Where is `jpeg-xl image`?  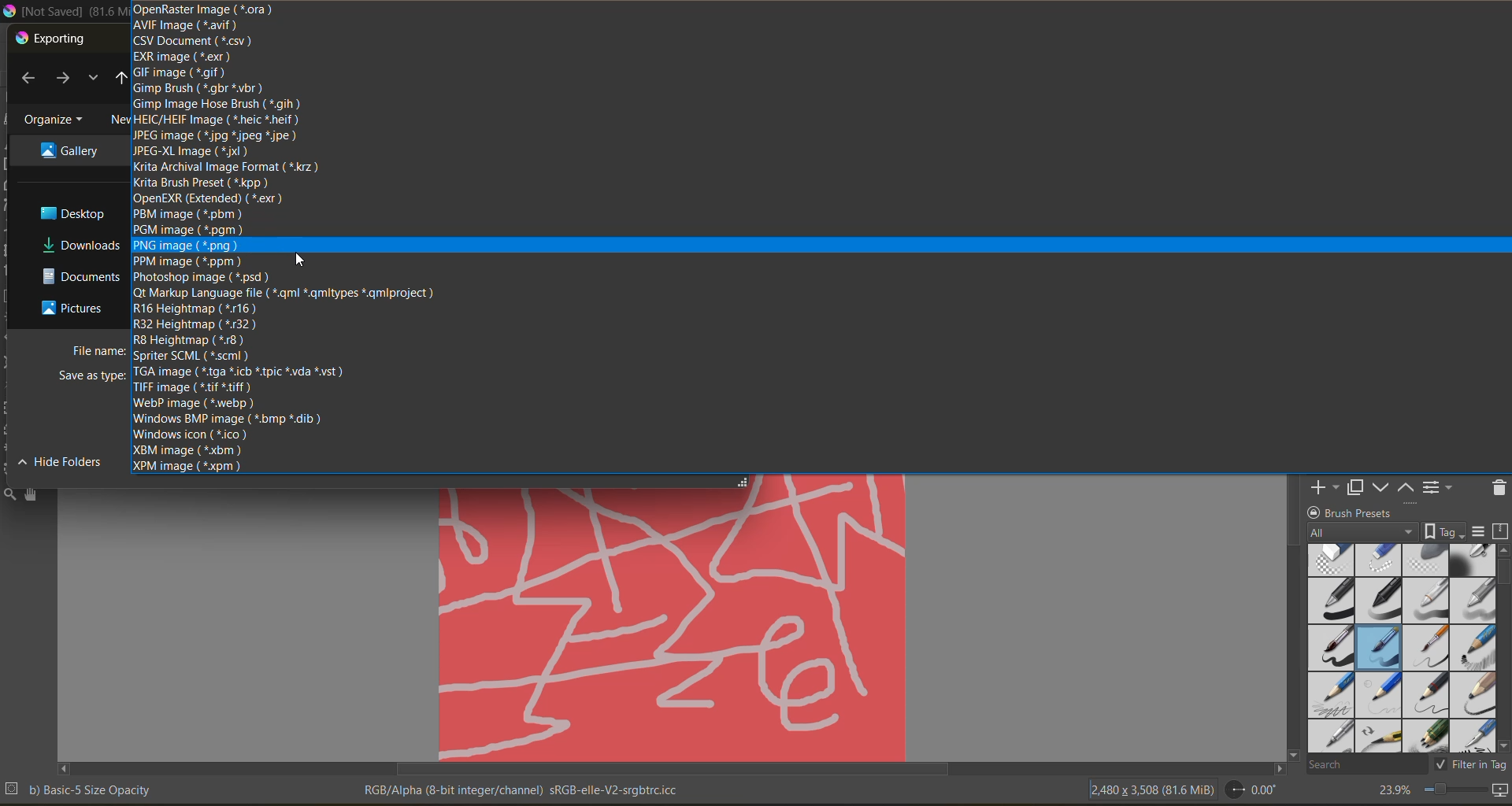 jpeg-xl image is located at coordinates (191, 152).